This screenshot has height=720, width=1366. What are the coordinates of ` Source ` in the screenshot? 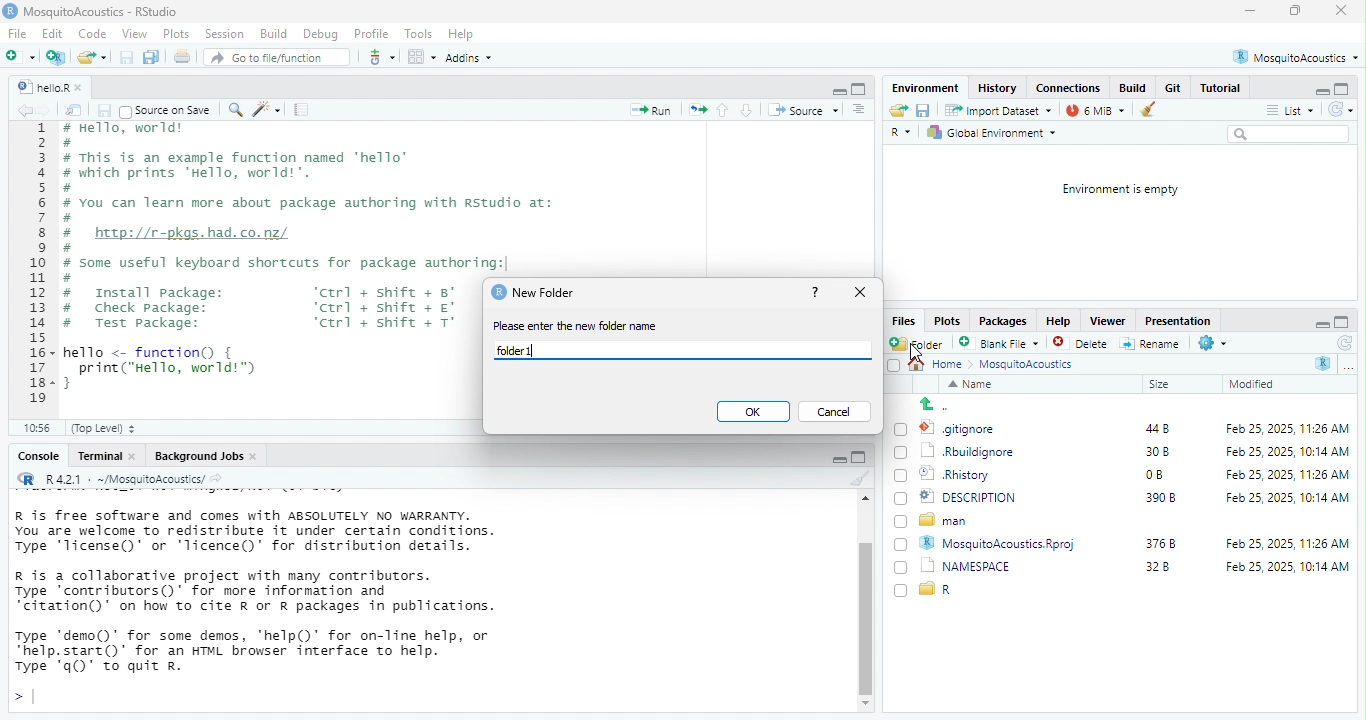 It's located at (803, 112).